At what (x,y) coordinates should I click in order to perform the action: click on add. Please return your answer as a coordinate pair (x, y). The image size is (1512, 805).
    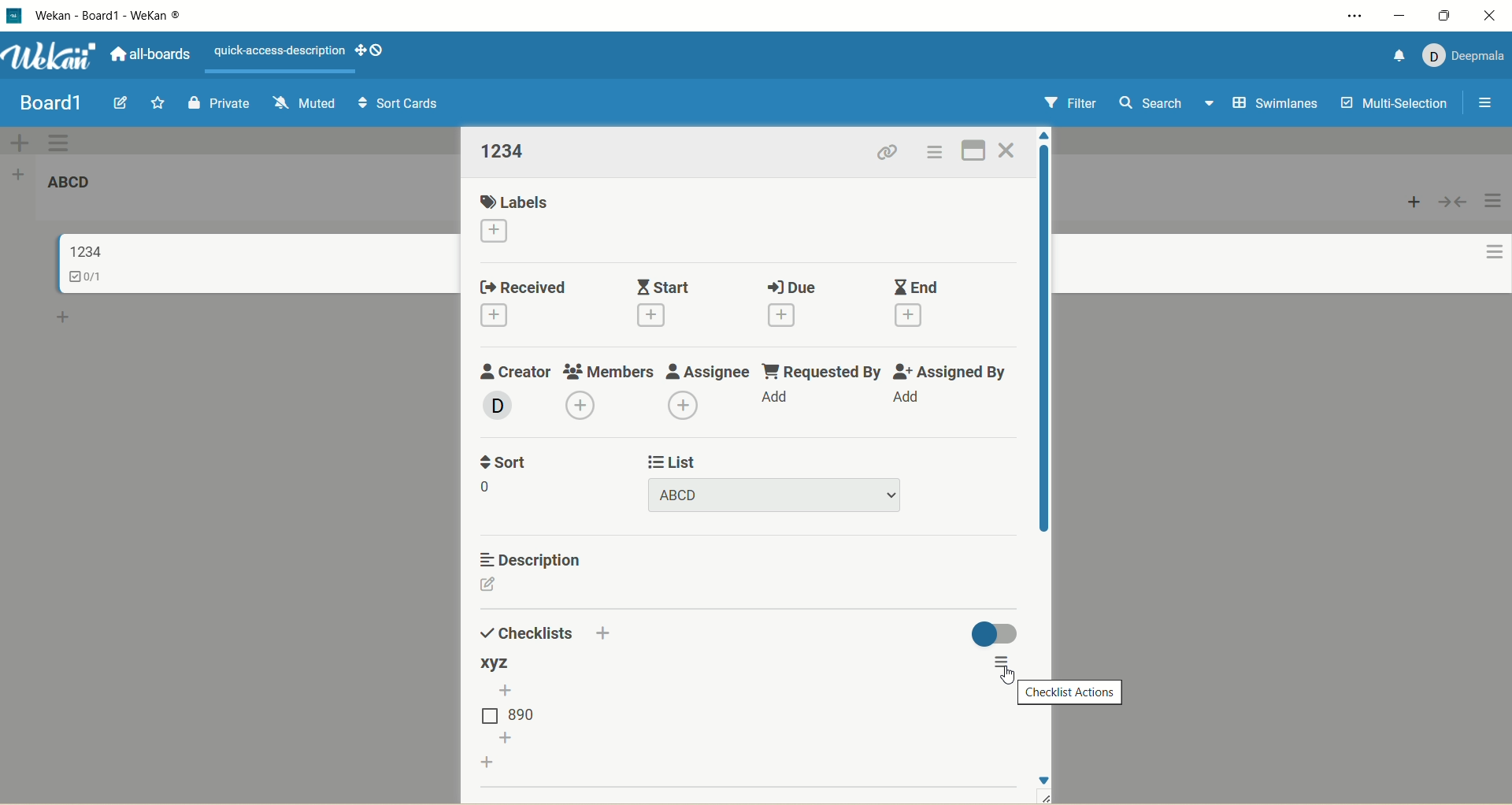
    Looking at the image, I should click on (498, 232).